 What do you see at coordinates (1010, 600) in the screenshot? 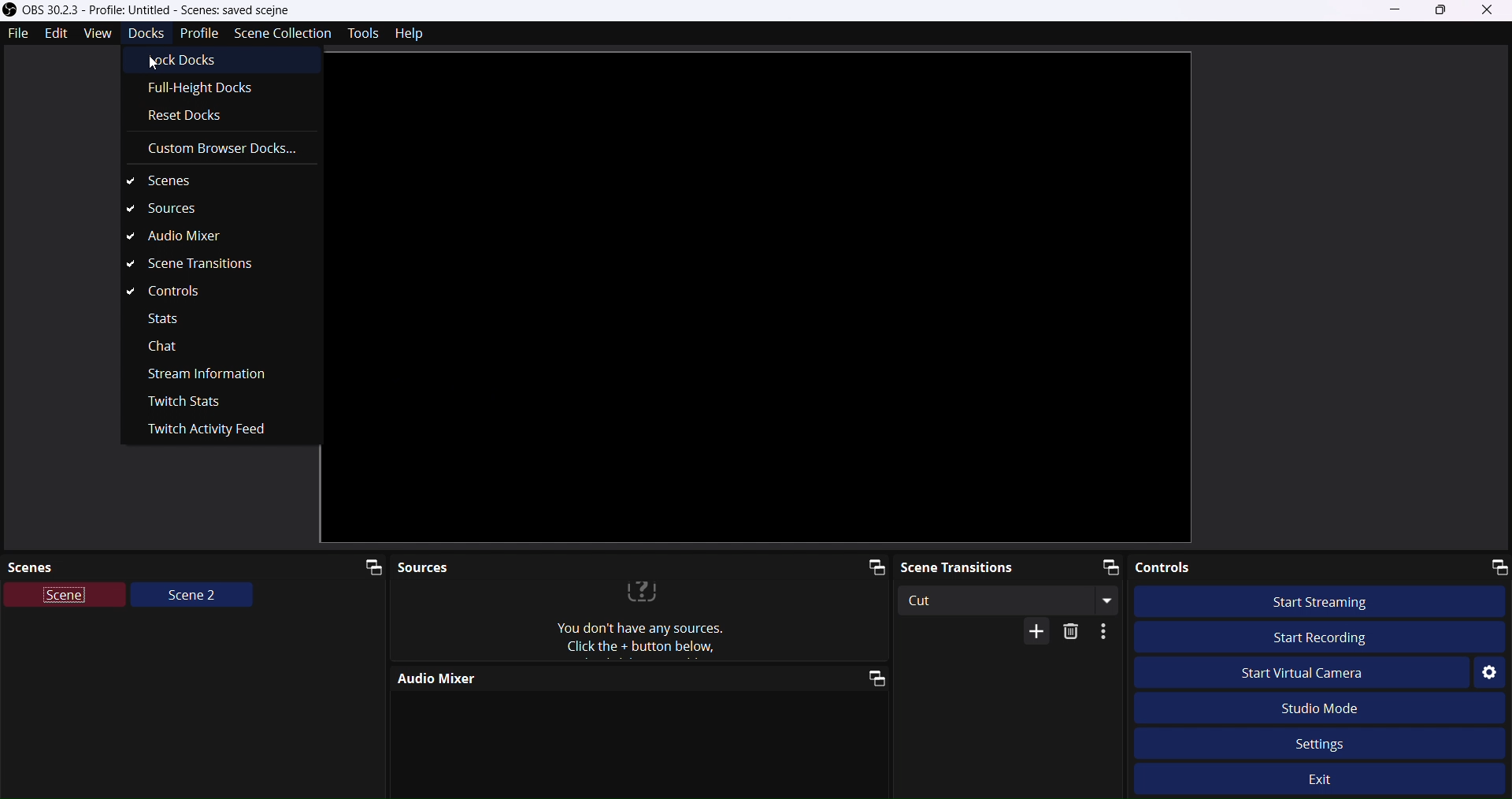
I see `Cut` at bounding box center [1010, 600].